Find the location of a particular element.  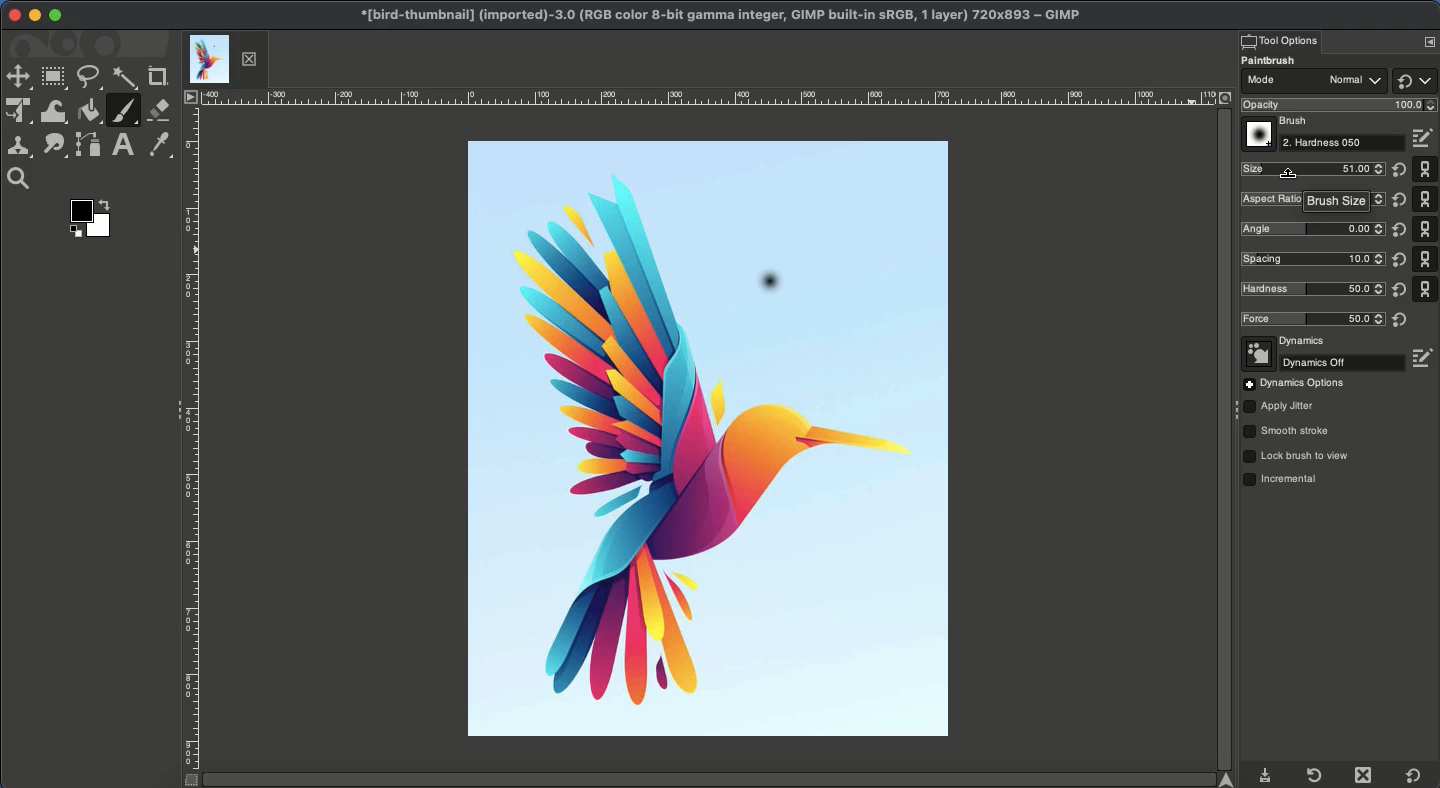

Freeform selector is located at coordinates (90, 78).